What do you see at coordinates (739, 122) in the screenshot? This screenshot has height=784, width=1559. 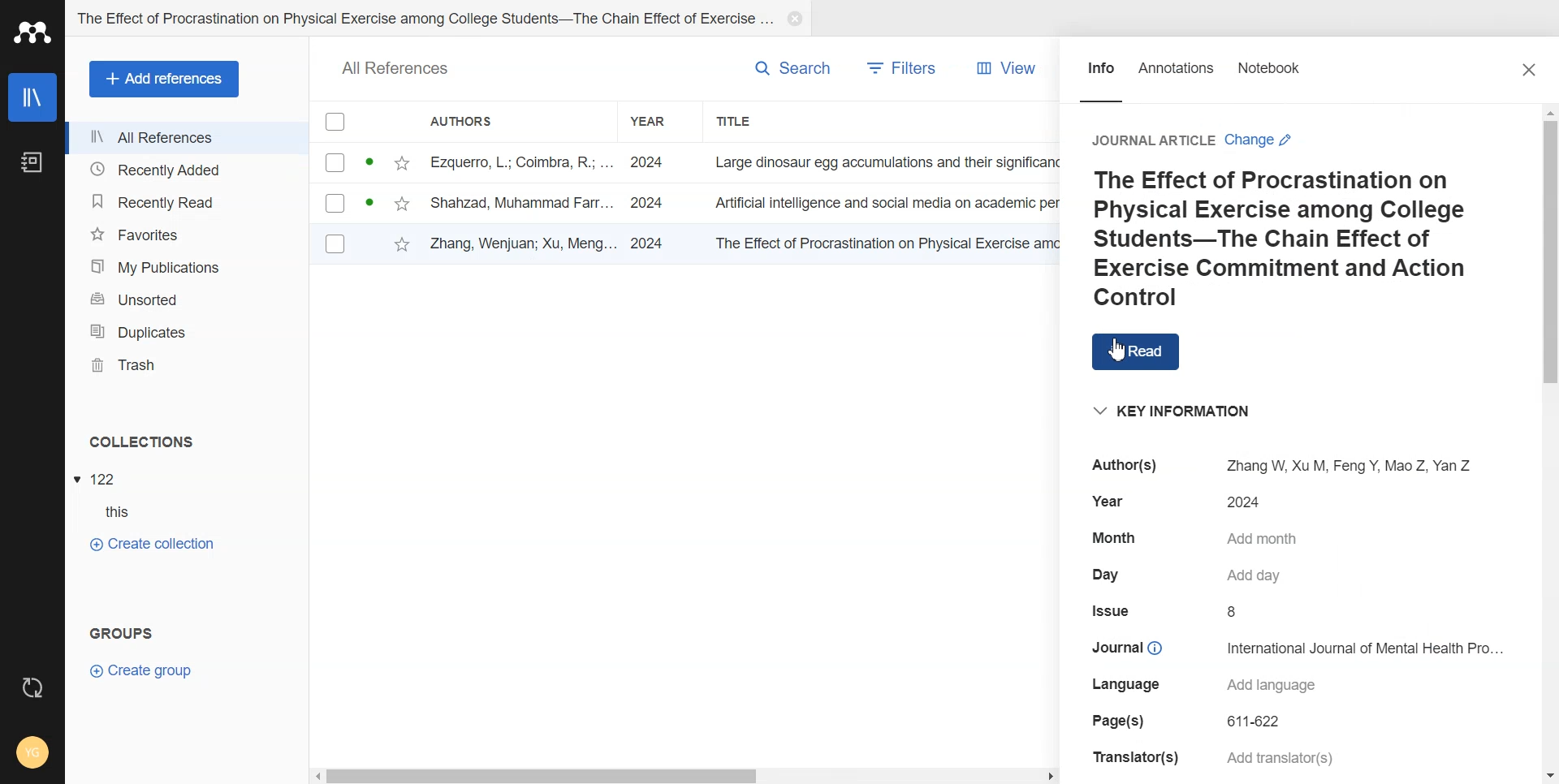 I see `Title` at bounding box center [739, 122].